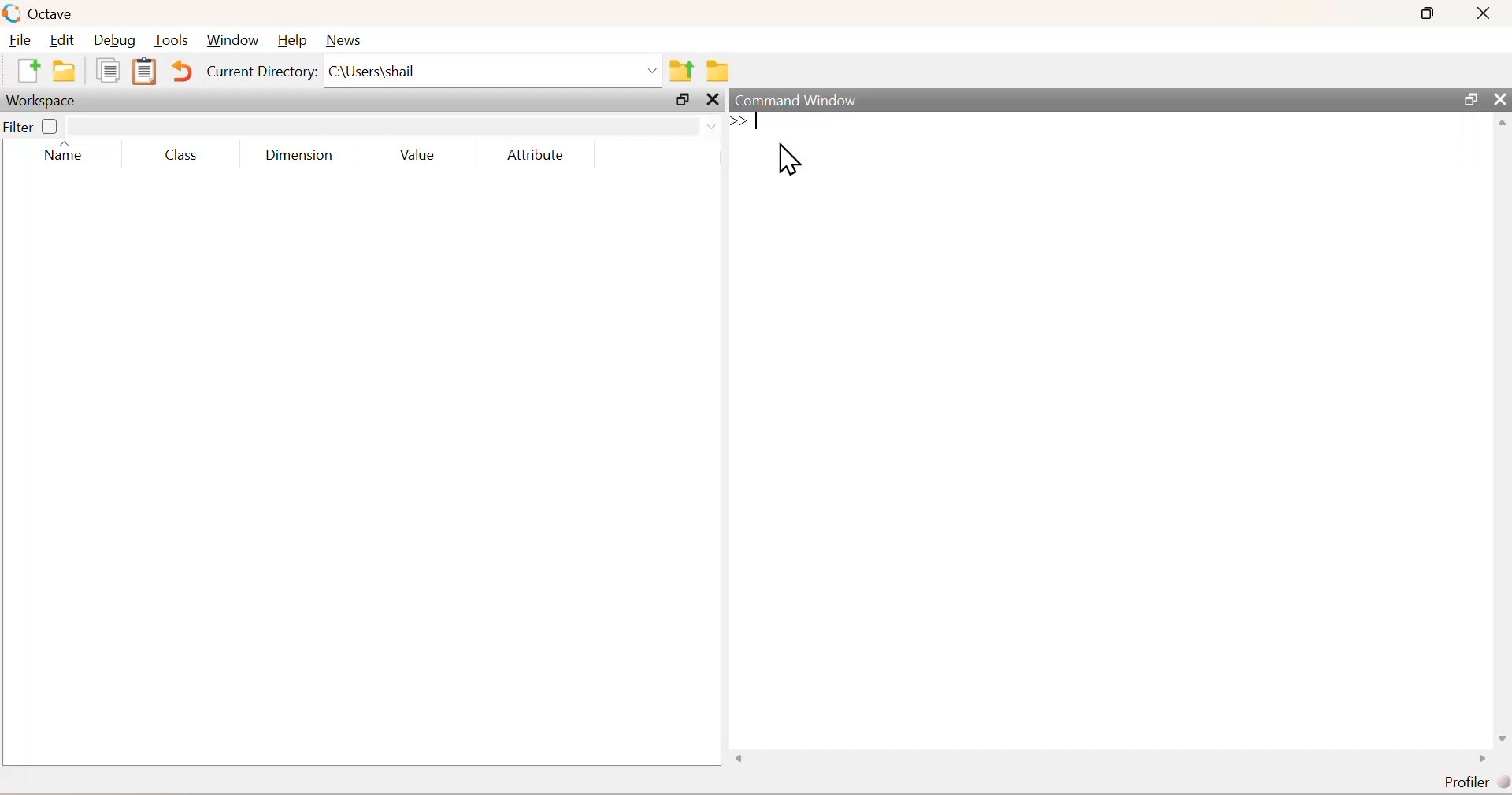  I want to click on minimize, so click(1373, 15).